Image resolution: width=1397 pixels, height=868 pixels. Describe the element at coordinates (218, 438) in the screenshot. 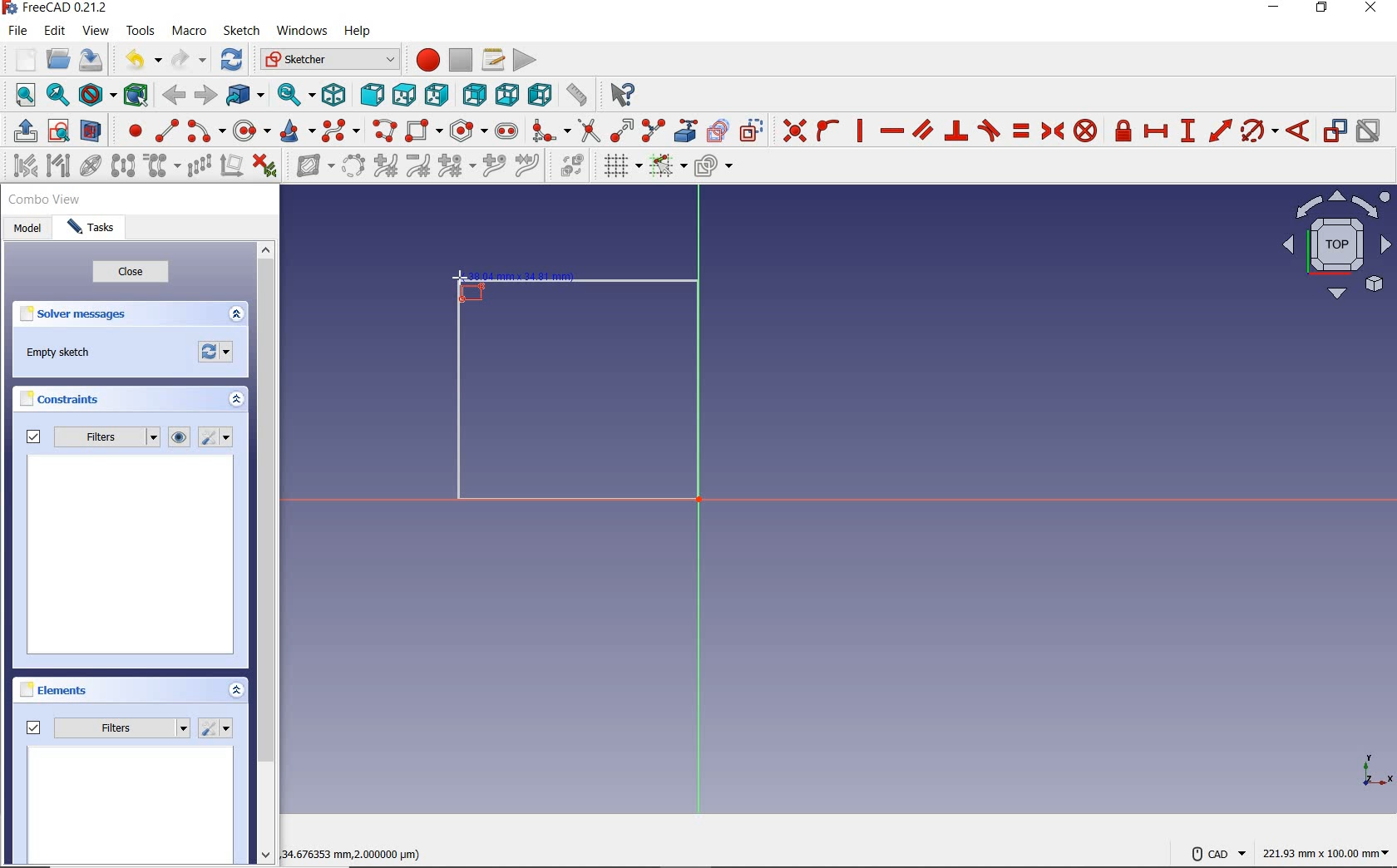

I see `ssttings` at that location.